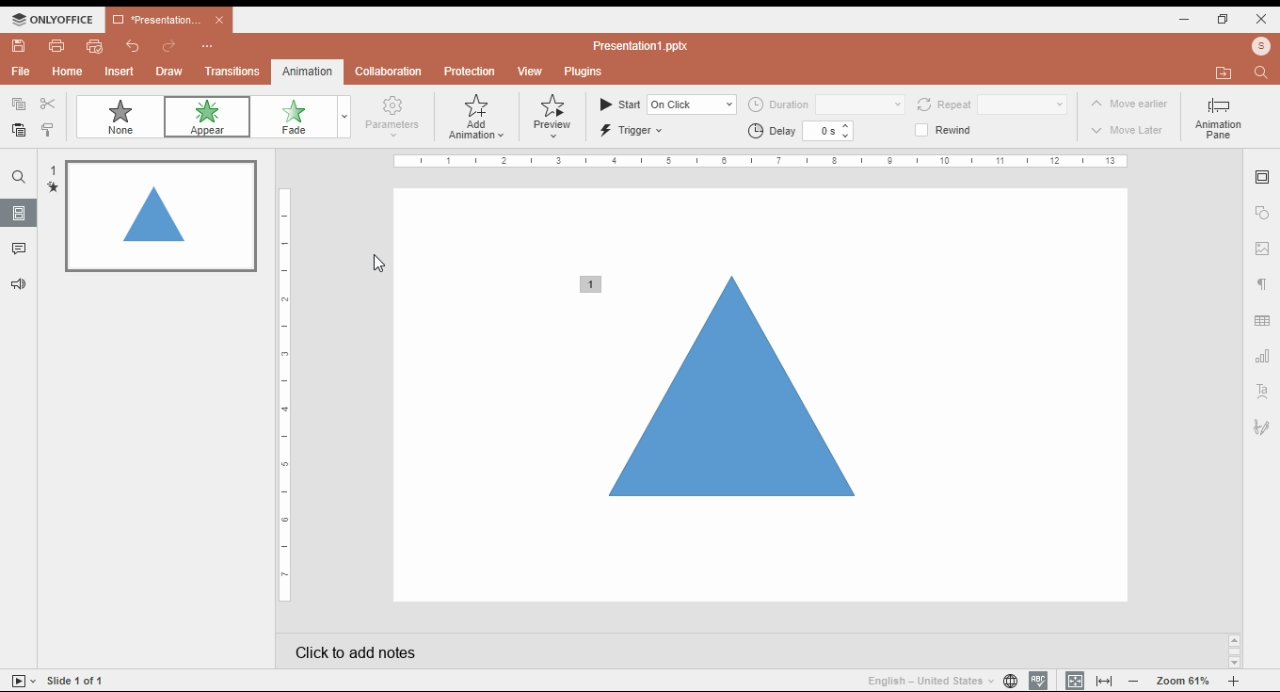 The height and width of the screenshot is (692, 1280). Describe the element at coordinates (819, 132) in the screenshot. I see `60s` at that location.